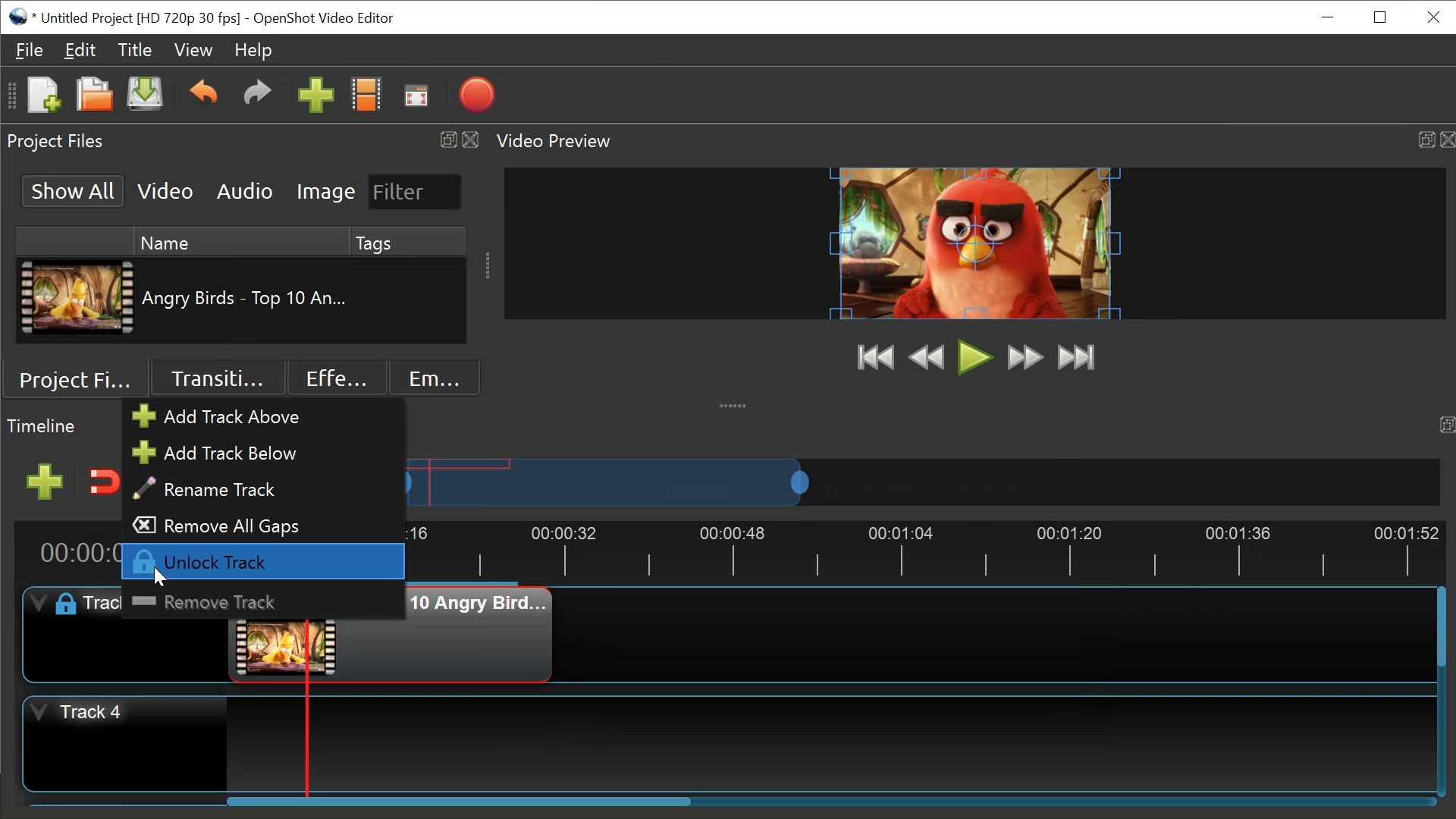 The width and height of the screenshot is (1456, 819). Describe the element at coordinates (75, 298) in the screenshot. I see `Clip` at that location.